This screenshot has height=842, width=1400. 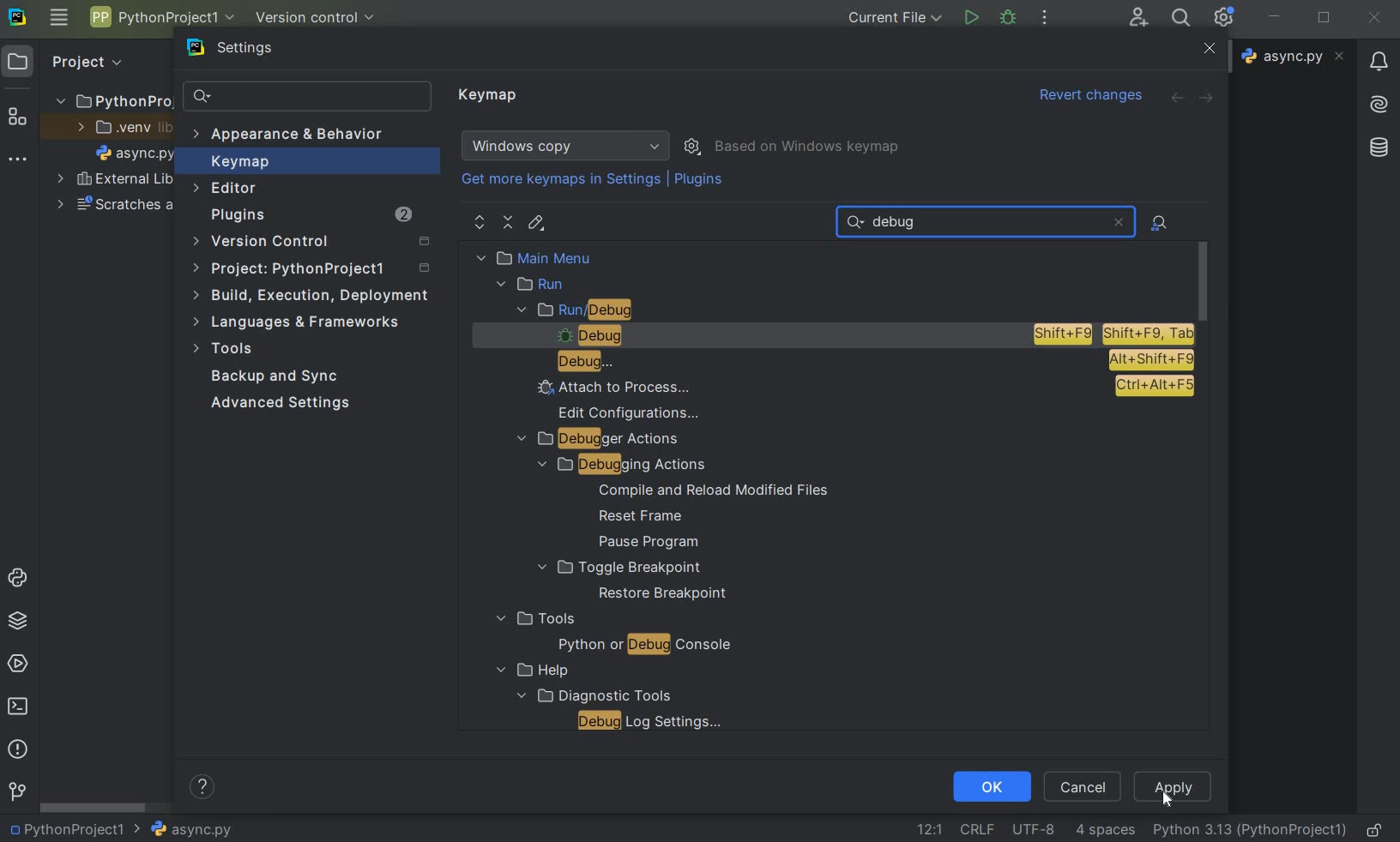 What do you see at coordinates (866, 335) in the screenshot?
I see `debug` at bounding box center [866, 335].